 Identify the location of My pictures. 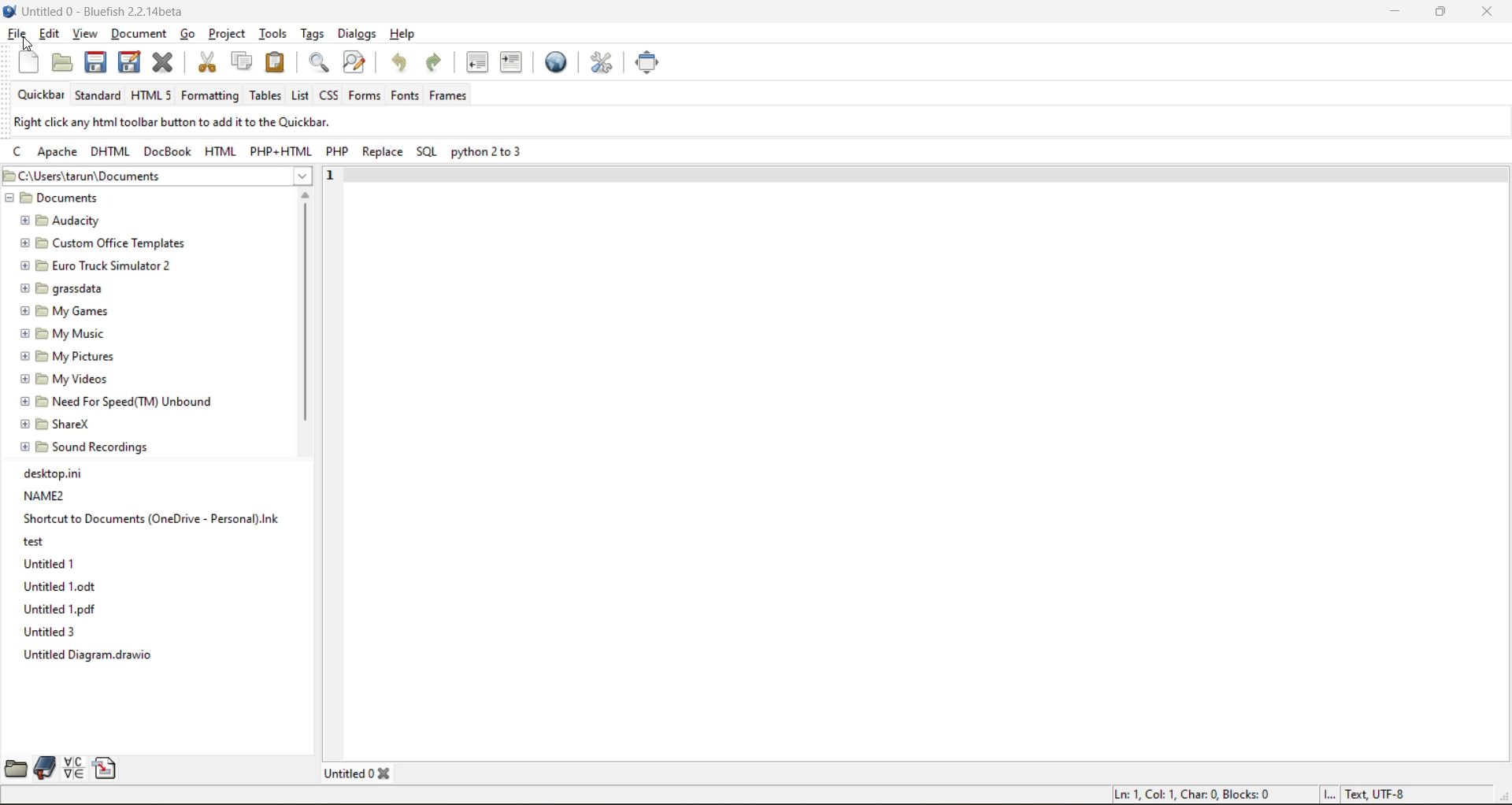
(65, 358).